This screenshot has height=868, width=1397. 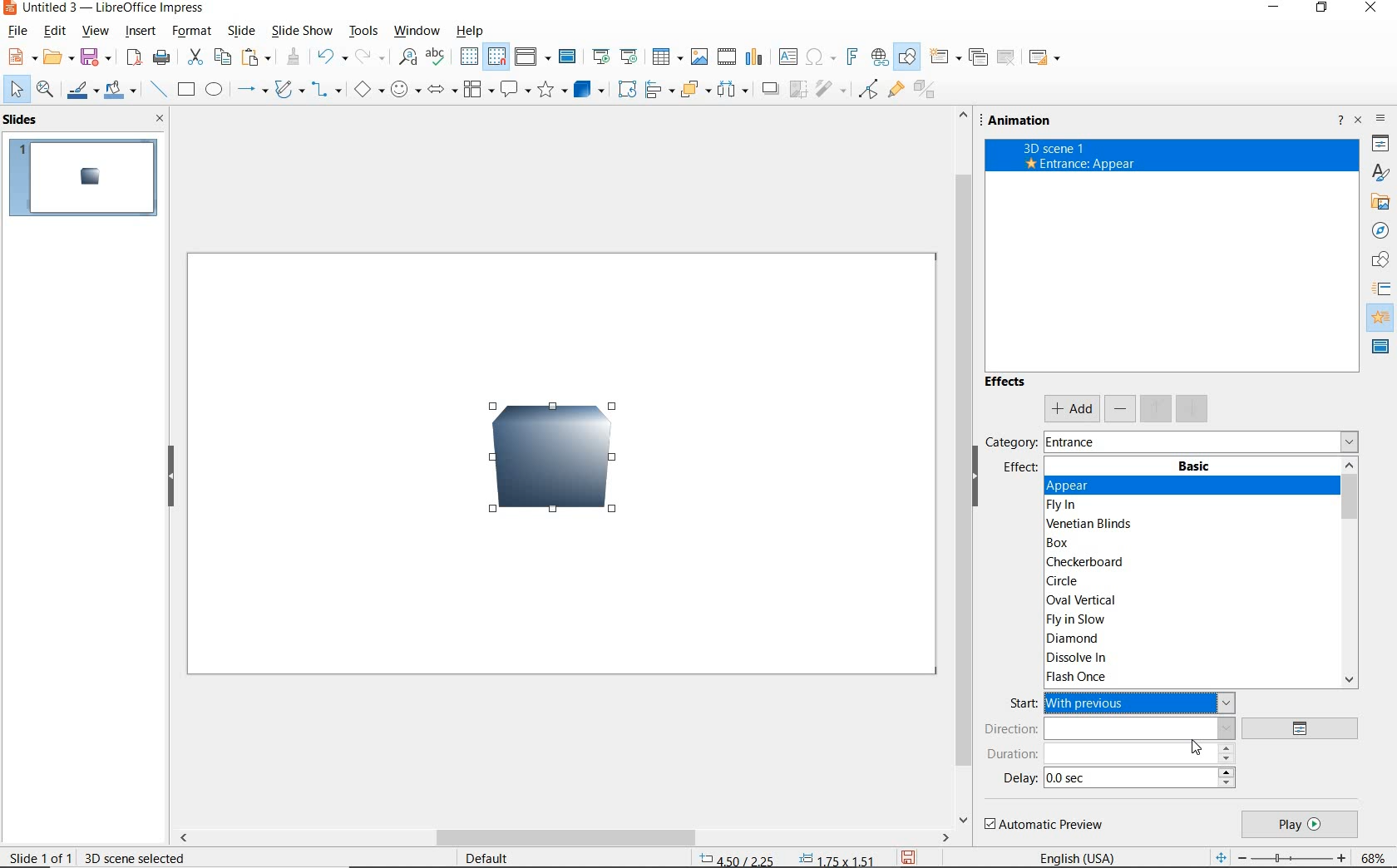 What do you see at coordinates (132, 57) in the screenshot?
I see `save as pdf` at bounding box center [132, 57].